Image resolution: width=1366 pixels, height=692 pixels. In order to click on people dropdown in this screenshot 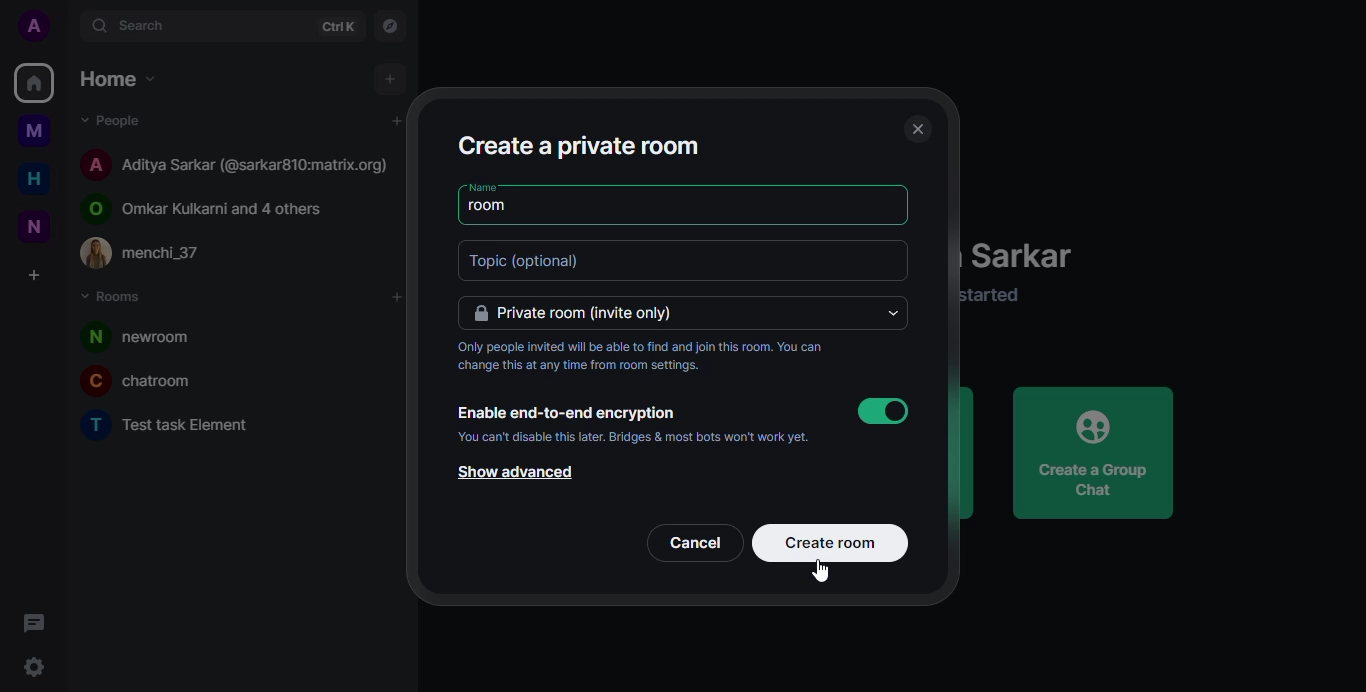, I will do `click(115, 120)`.